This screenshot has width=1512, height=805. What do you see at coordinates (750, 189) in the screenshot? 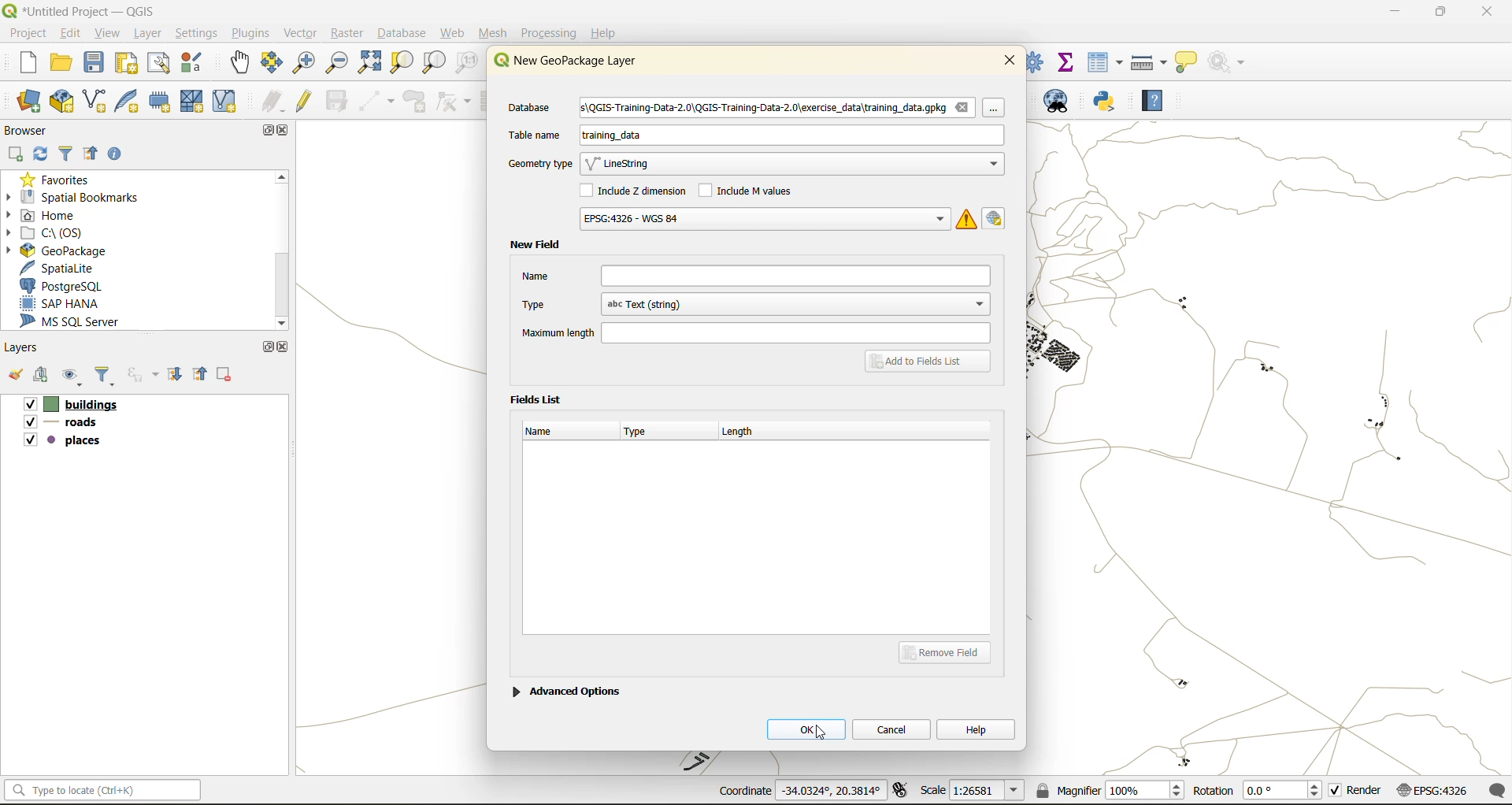
I see `include m values` at bounding box center [750, 189].